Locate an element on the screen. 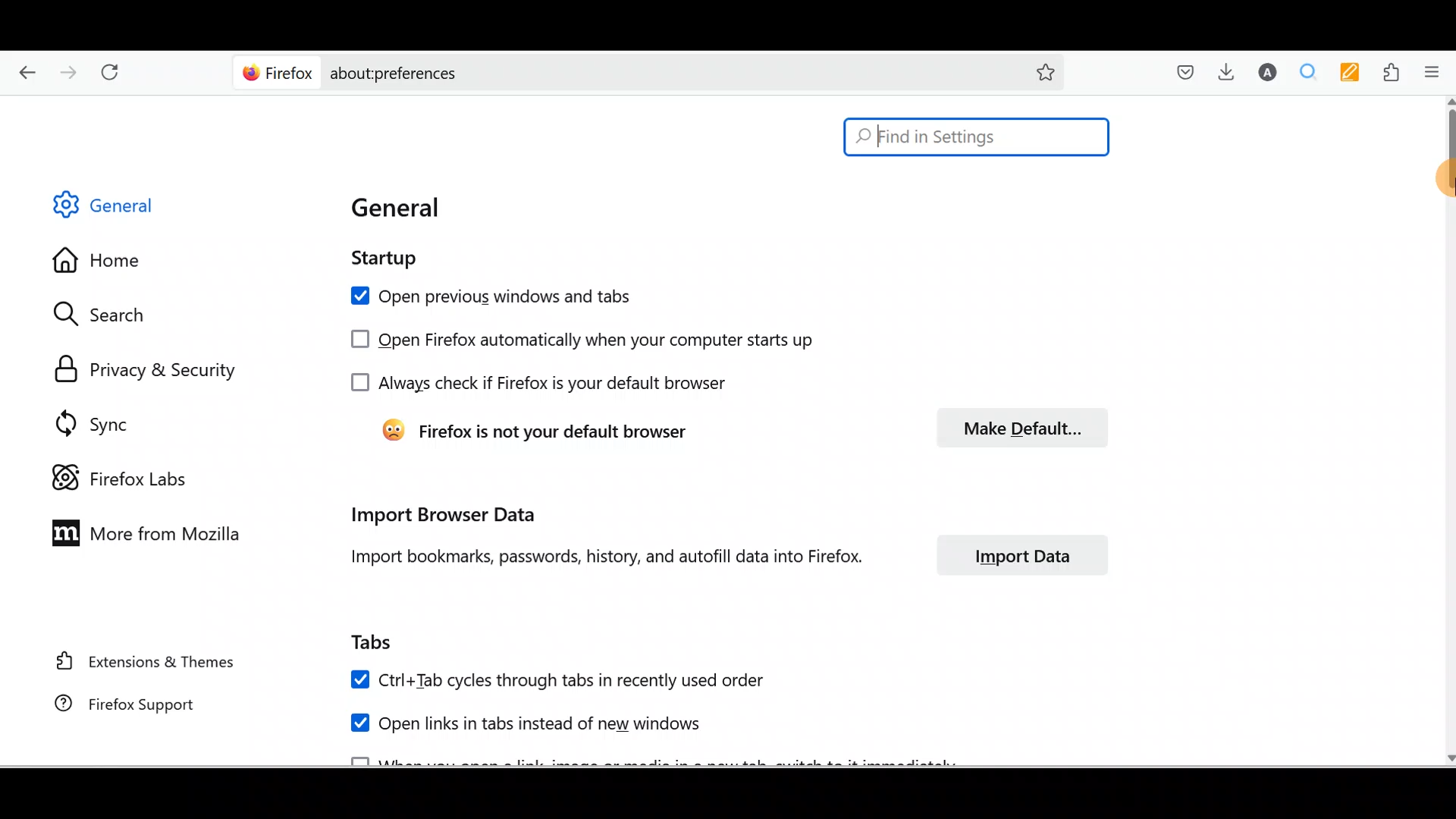 Image resolution: width=1456 pixels, height=819 pixels. Tabs is located at coordinates (380, 644).